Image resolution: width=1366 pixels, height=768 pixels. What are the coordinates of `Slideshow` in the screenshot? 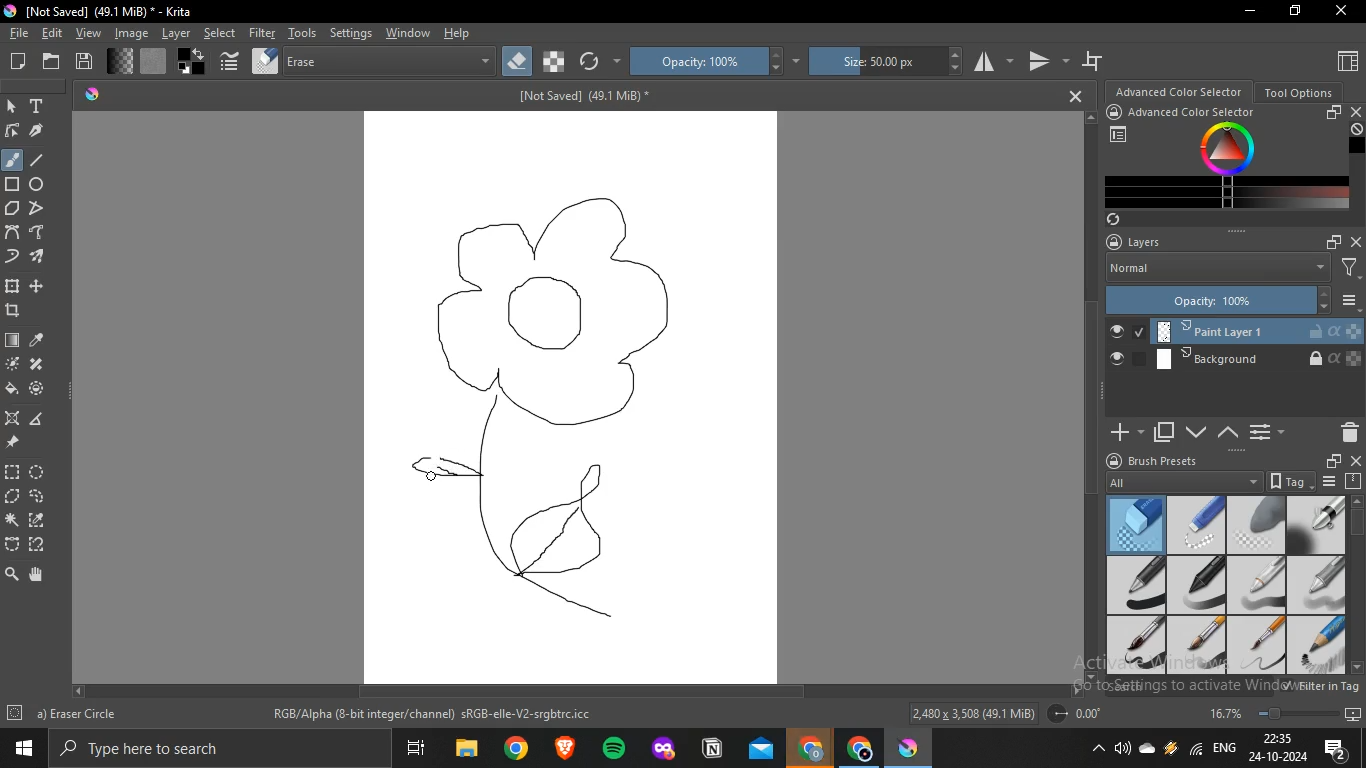 It's located at (1353, 712).